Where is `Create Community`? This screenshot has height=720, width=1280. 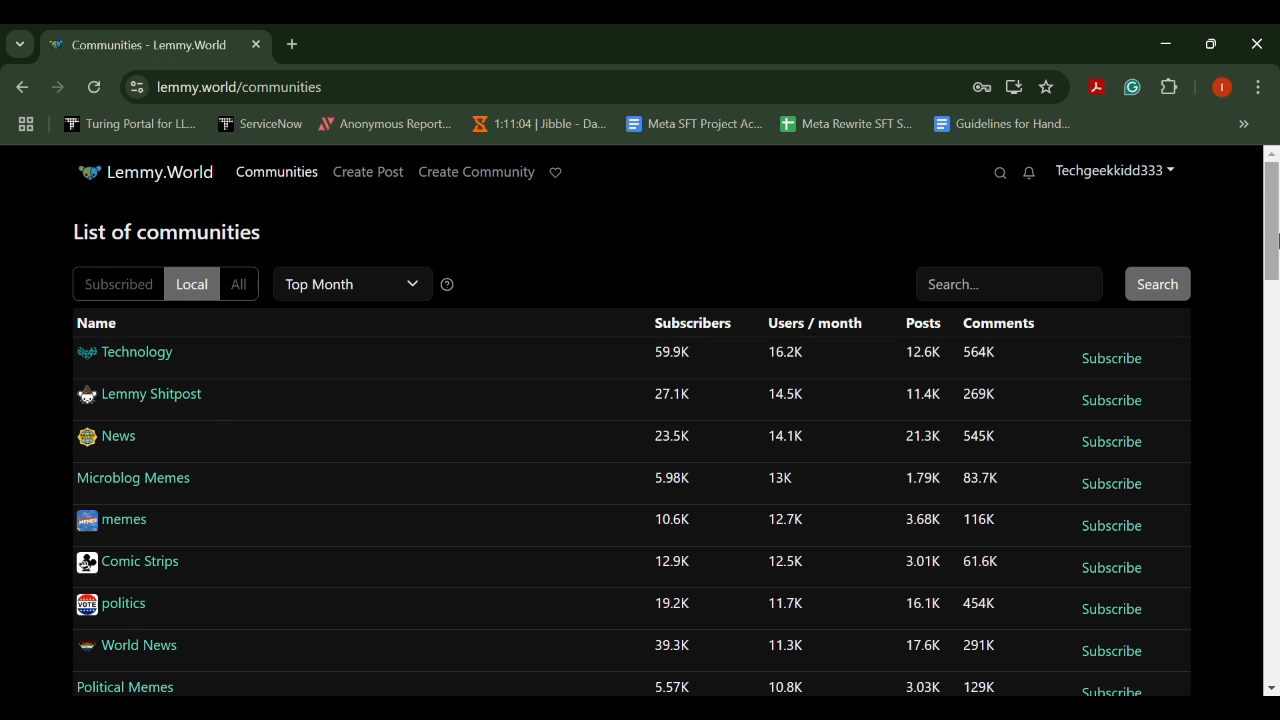 Create Community is located at coordinates (475, 172).